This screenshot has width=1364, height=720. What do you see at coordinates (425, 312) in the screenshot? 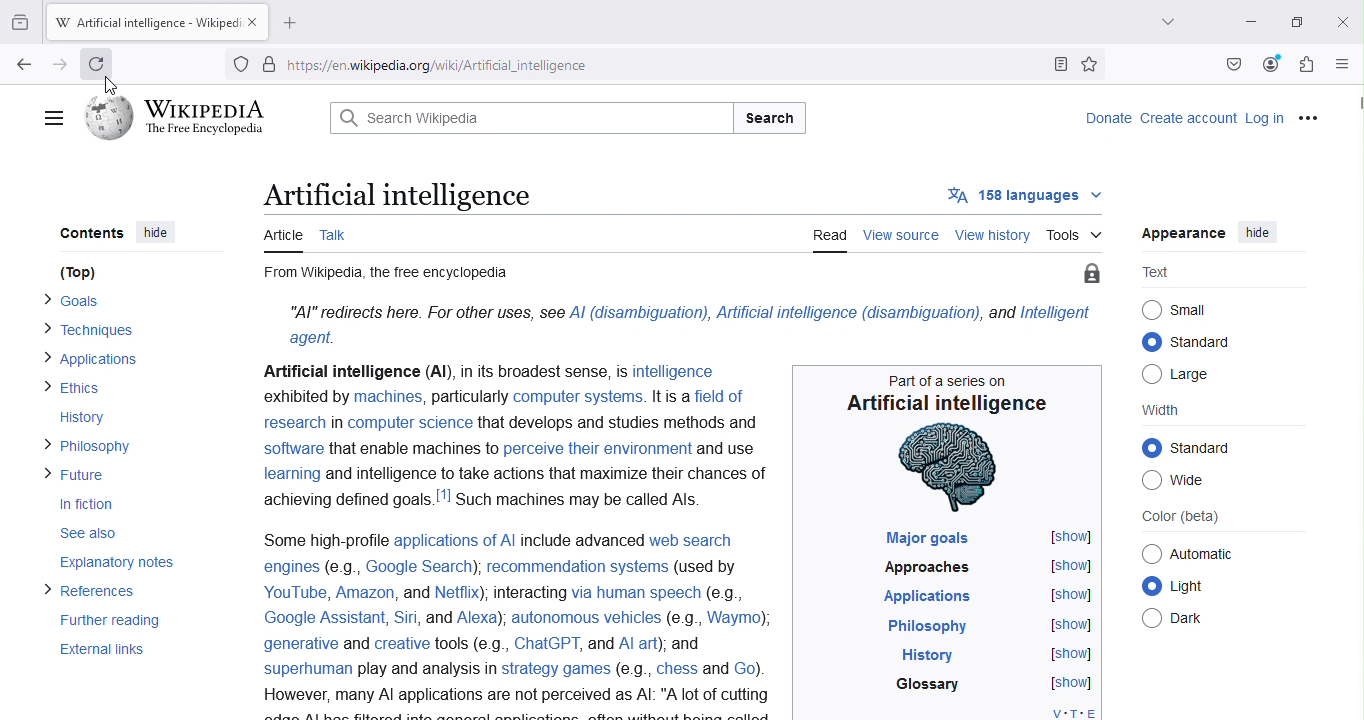
I see `“Al” redirects here. For other uses, see` at bounding box center [425, 312].